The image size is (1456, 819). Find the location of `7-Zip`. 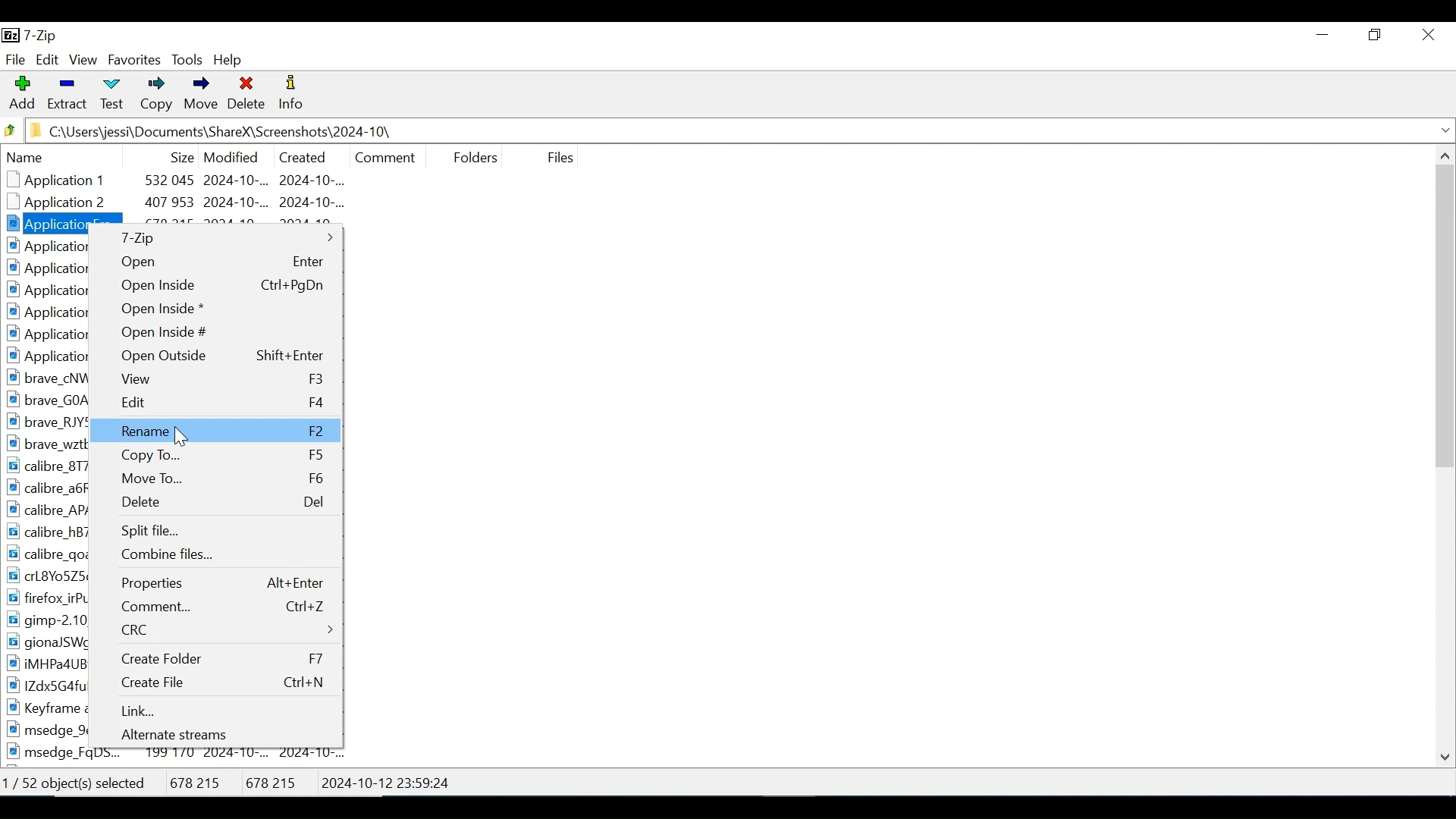

7-Zip is located at coordinates (216, 238).